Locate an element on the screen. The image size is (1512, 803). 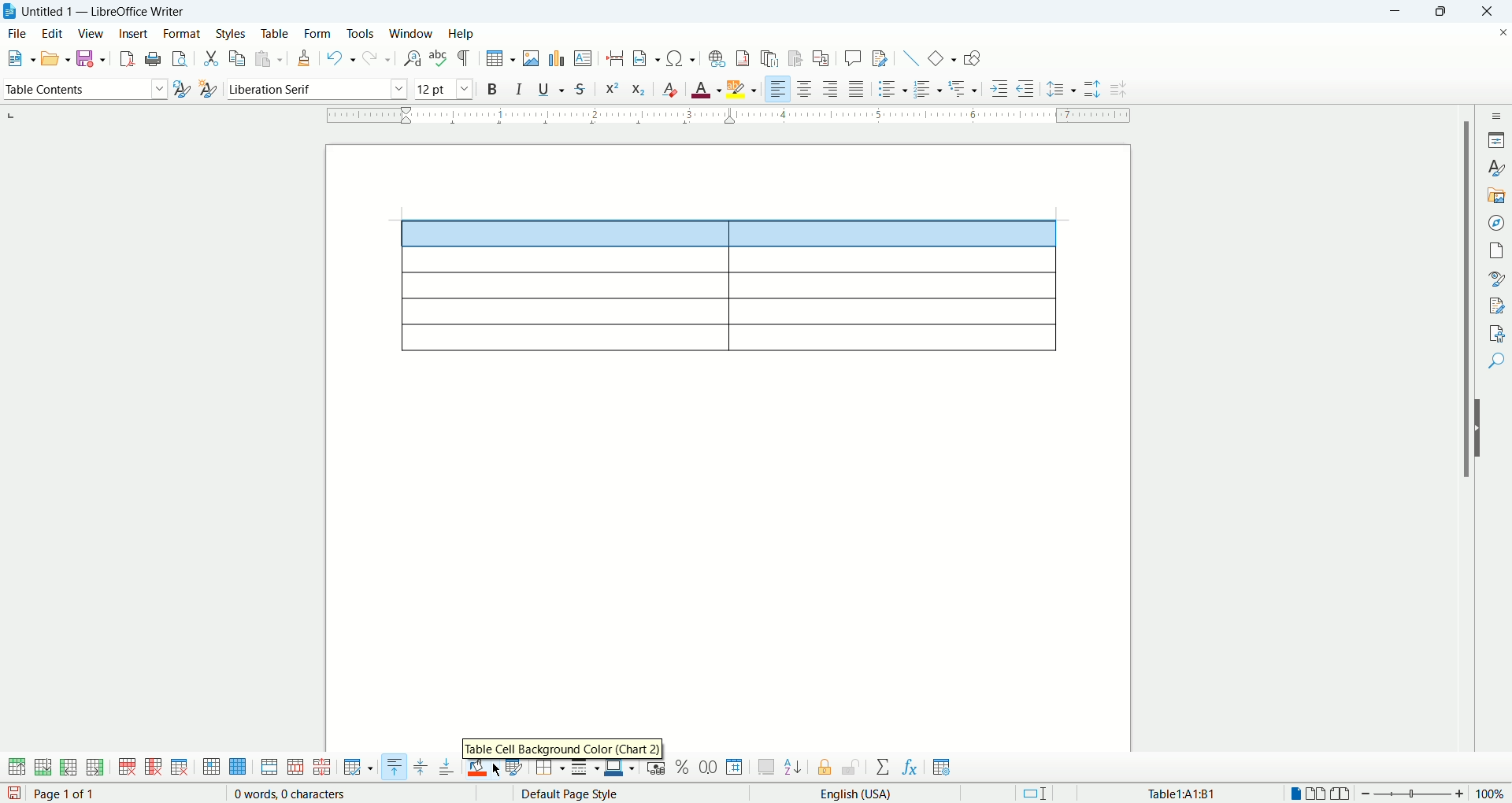
double page view is located at coordinates (1319, 794).